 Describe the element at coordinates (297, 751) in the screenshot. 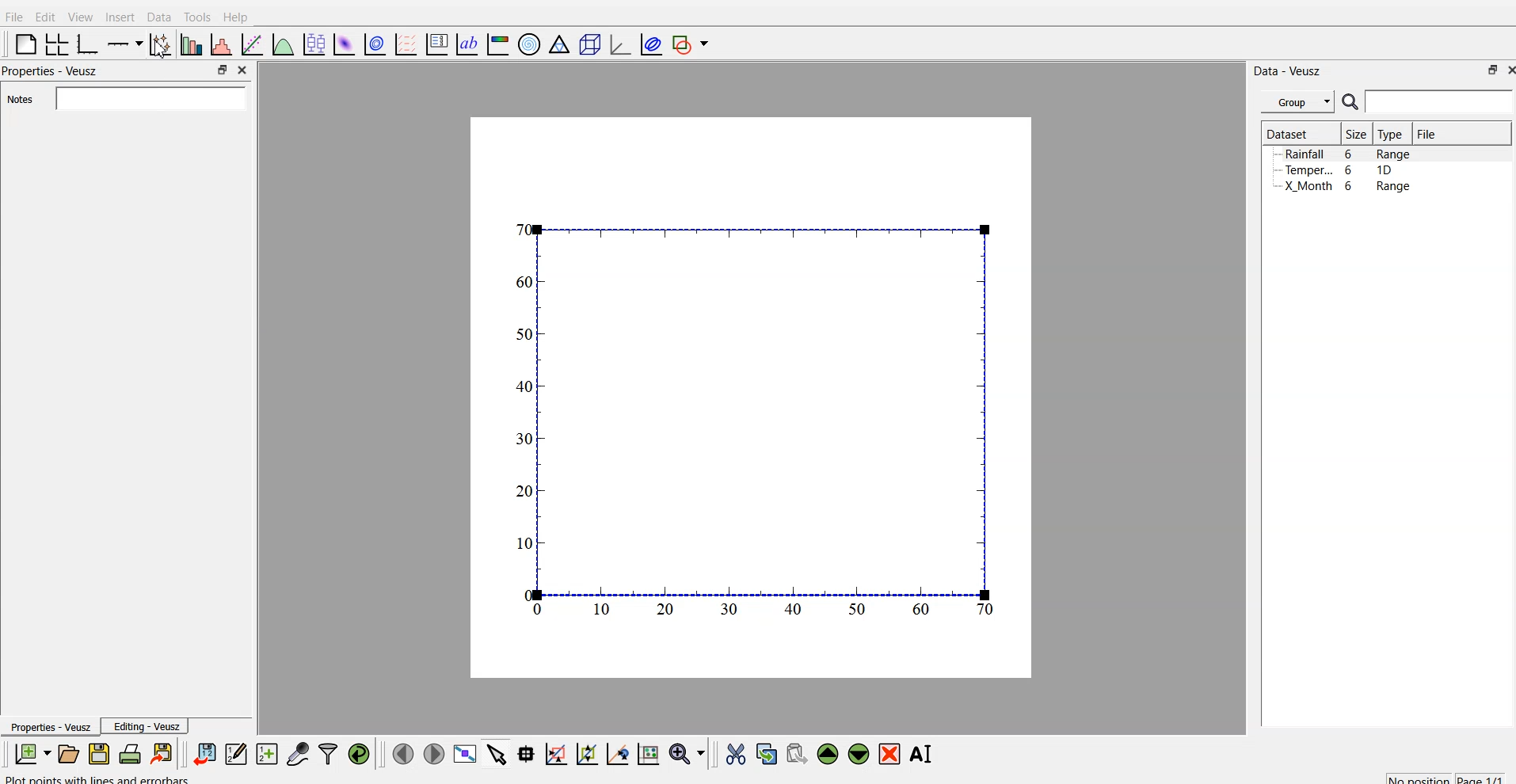

I see `capture a dataset` at that location.